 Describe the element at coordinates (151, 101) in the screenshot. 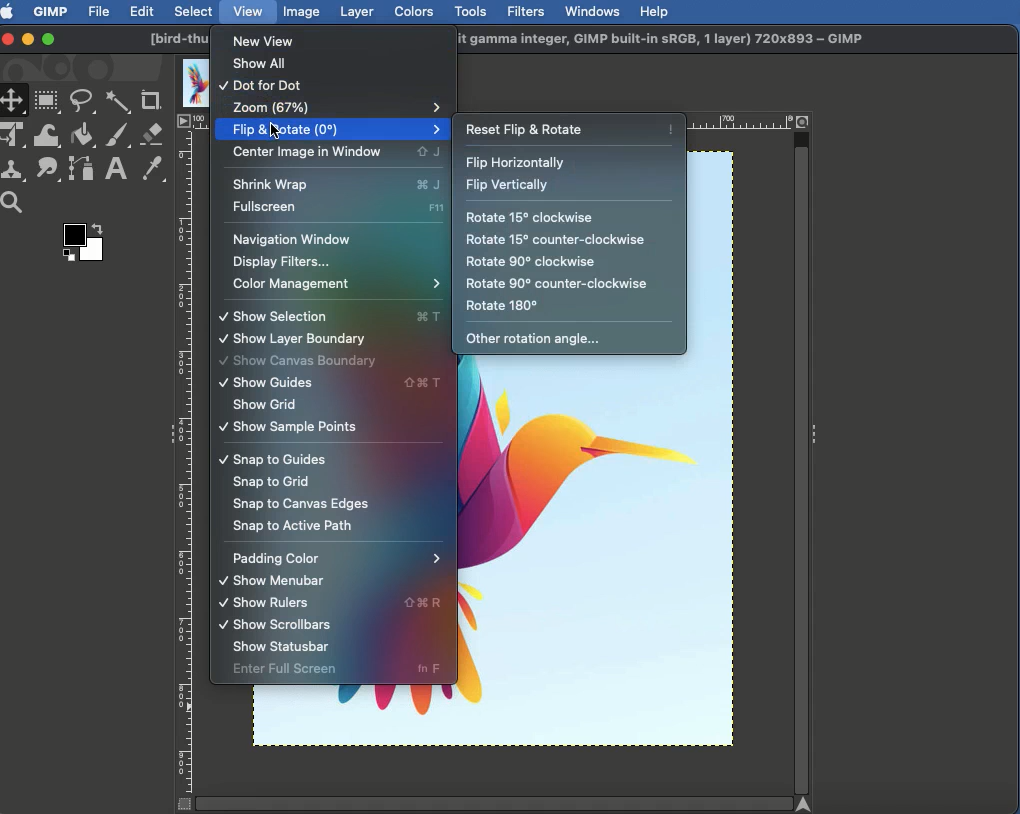

I see `Crop` at that location.